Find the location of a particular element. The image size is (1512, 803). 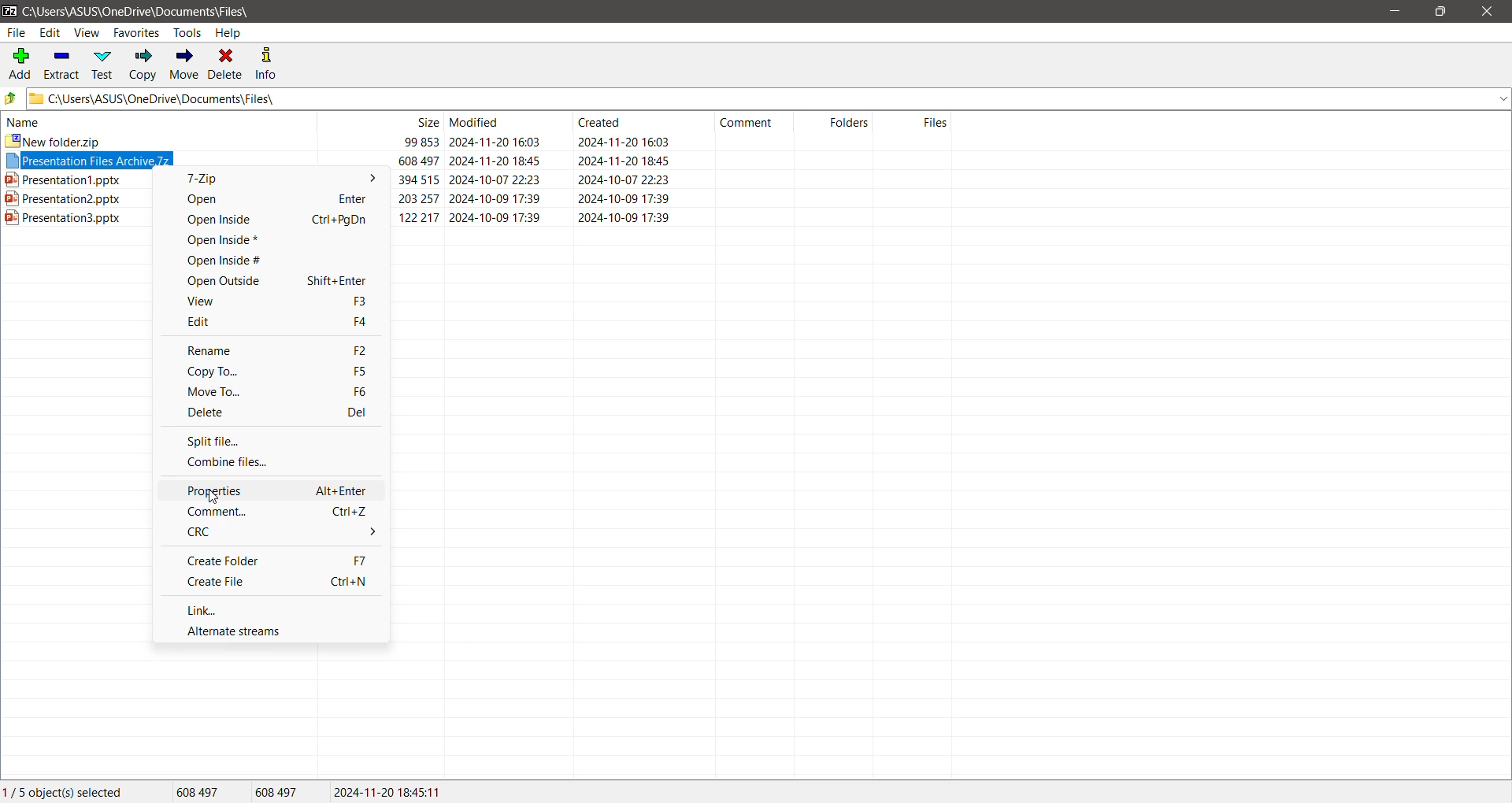

folders is located at coordinates (837, 121).